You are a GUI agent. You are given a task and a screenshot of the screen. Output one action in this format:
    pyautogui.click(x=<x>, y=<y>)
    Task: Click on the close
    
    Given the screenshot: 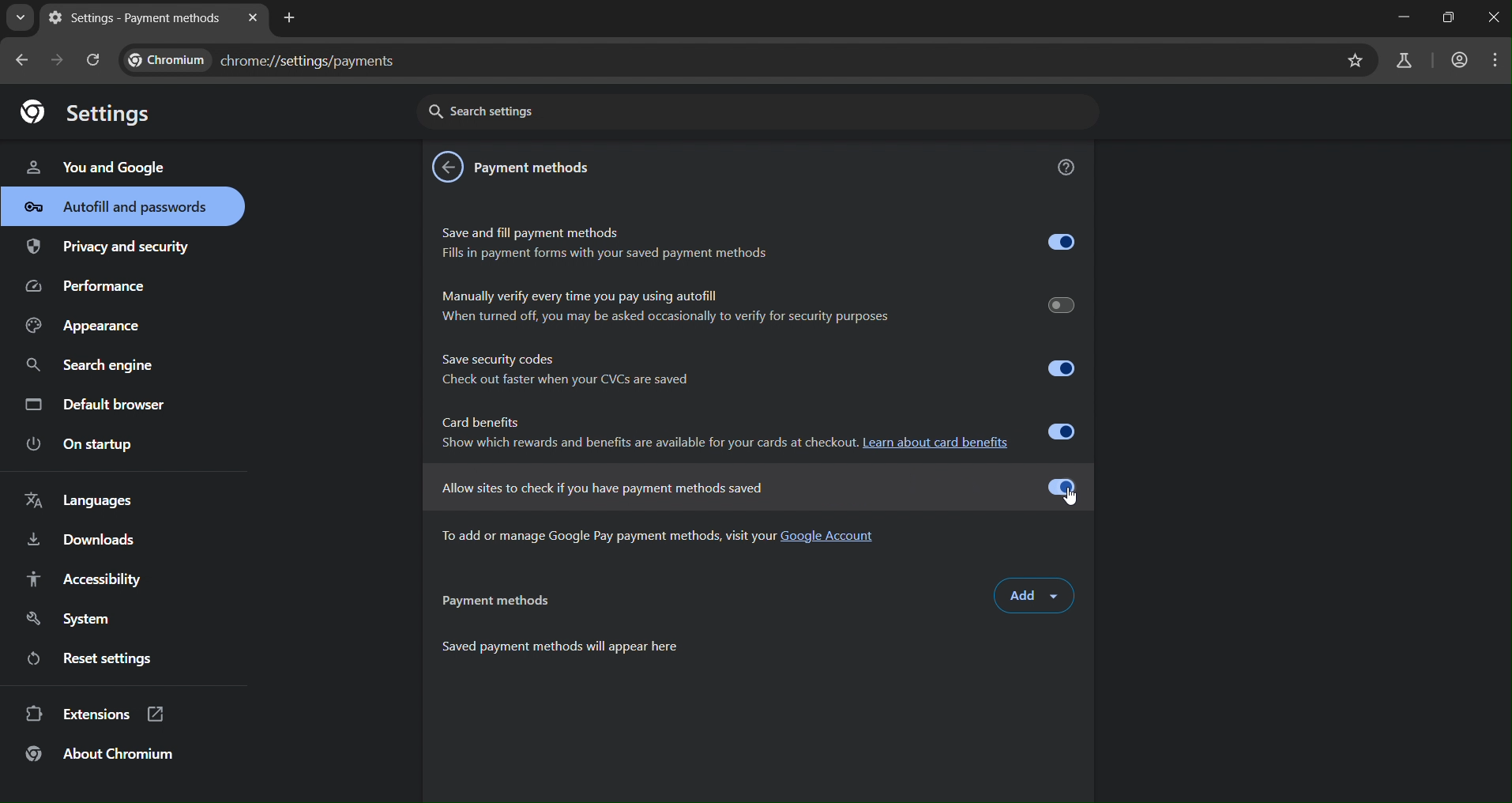 What is the action you would take?
    pyautogui.click(x=1494, y=20)
    